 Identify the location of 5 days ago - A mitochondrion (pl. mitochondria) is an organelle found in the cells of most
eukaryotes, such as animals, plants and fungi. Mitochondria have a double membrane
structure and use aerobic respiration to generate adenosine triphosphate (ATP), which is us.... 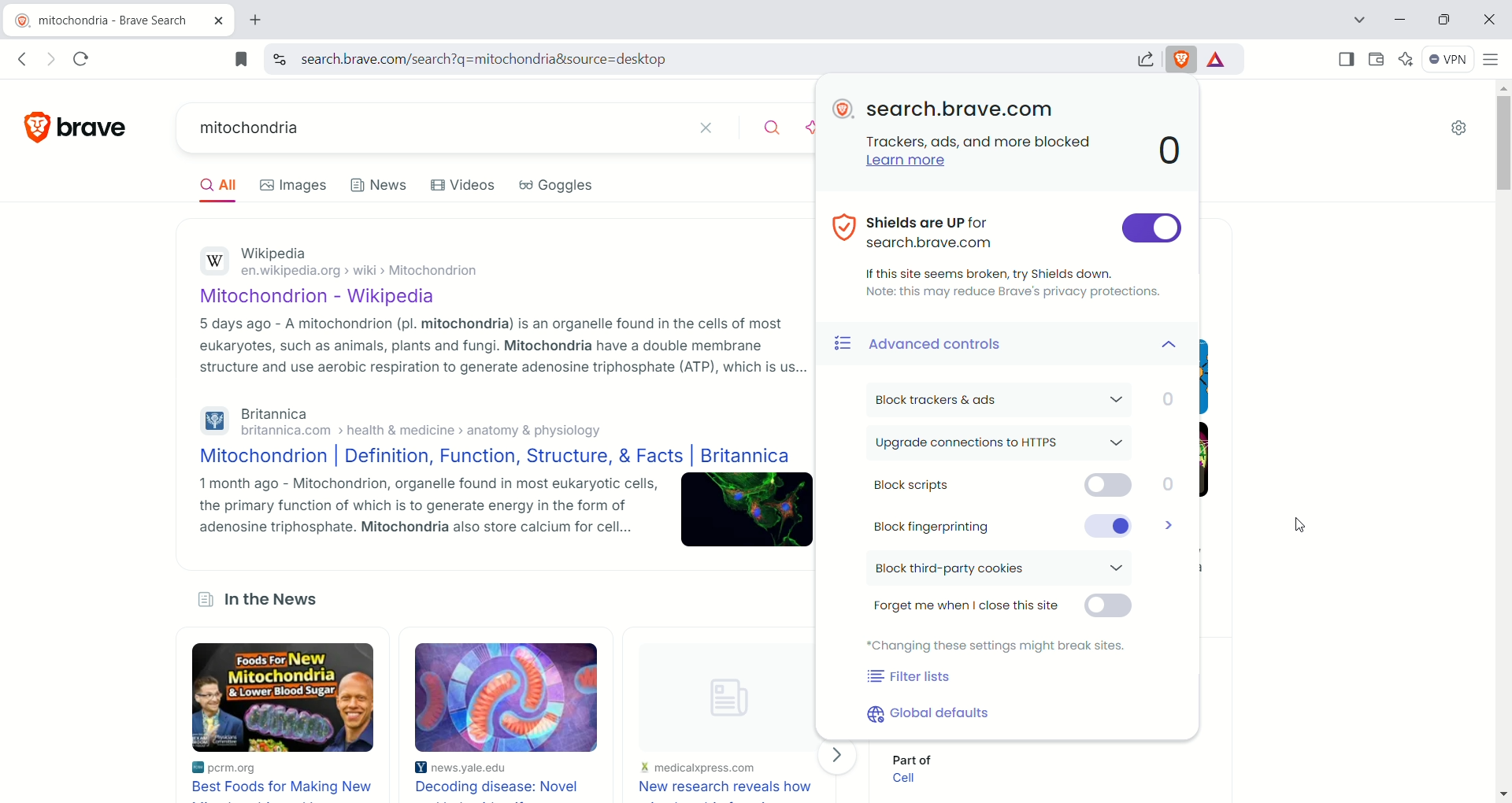
(505, 346).